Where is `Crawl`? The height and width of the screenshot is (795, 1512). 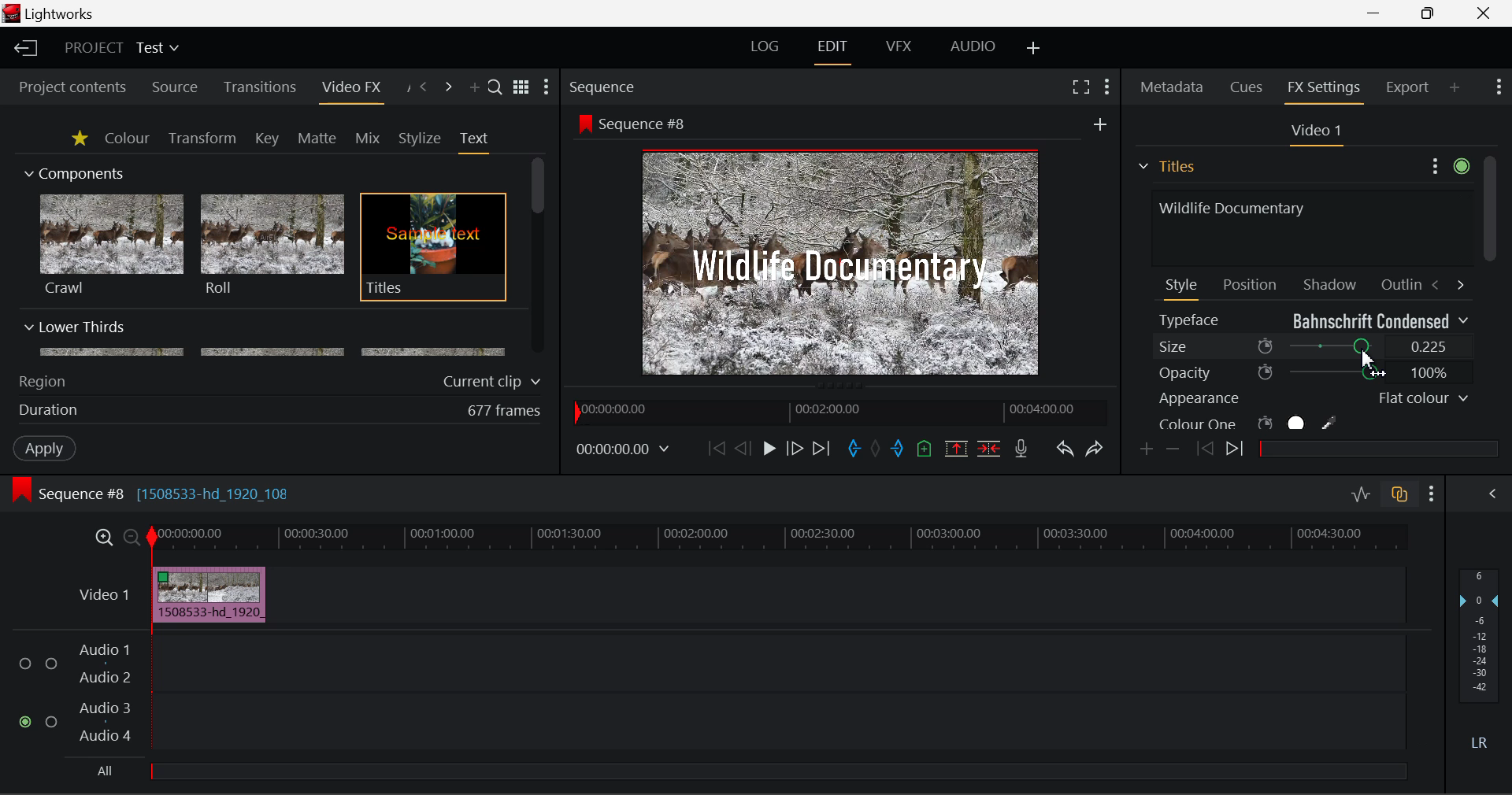
Crawl is located at coordinates (112, 245).